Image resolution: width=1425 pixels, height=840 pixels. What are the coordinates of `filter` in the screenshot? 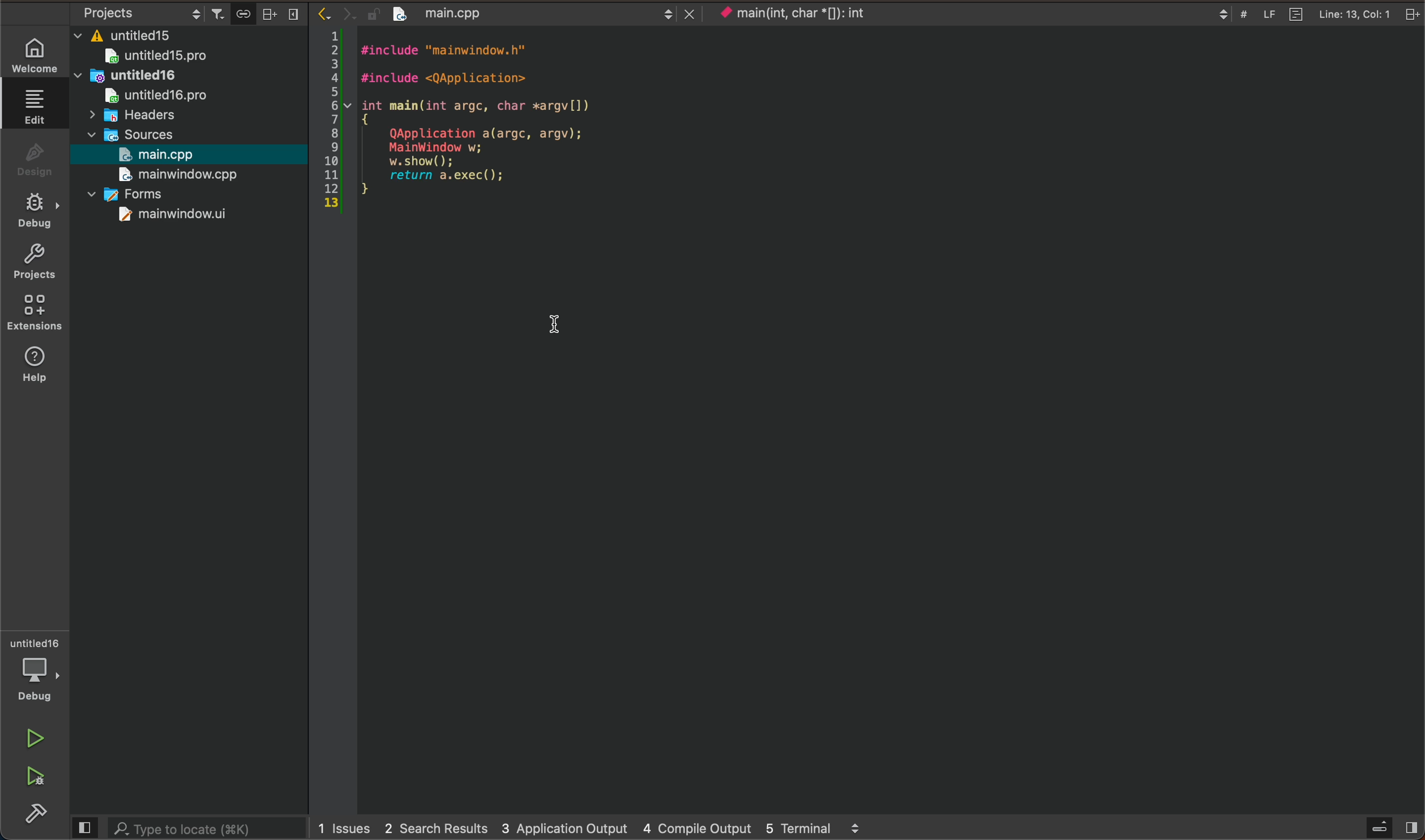 It's located at (220, 11).